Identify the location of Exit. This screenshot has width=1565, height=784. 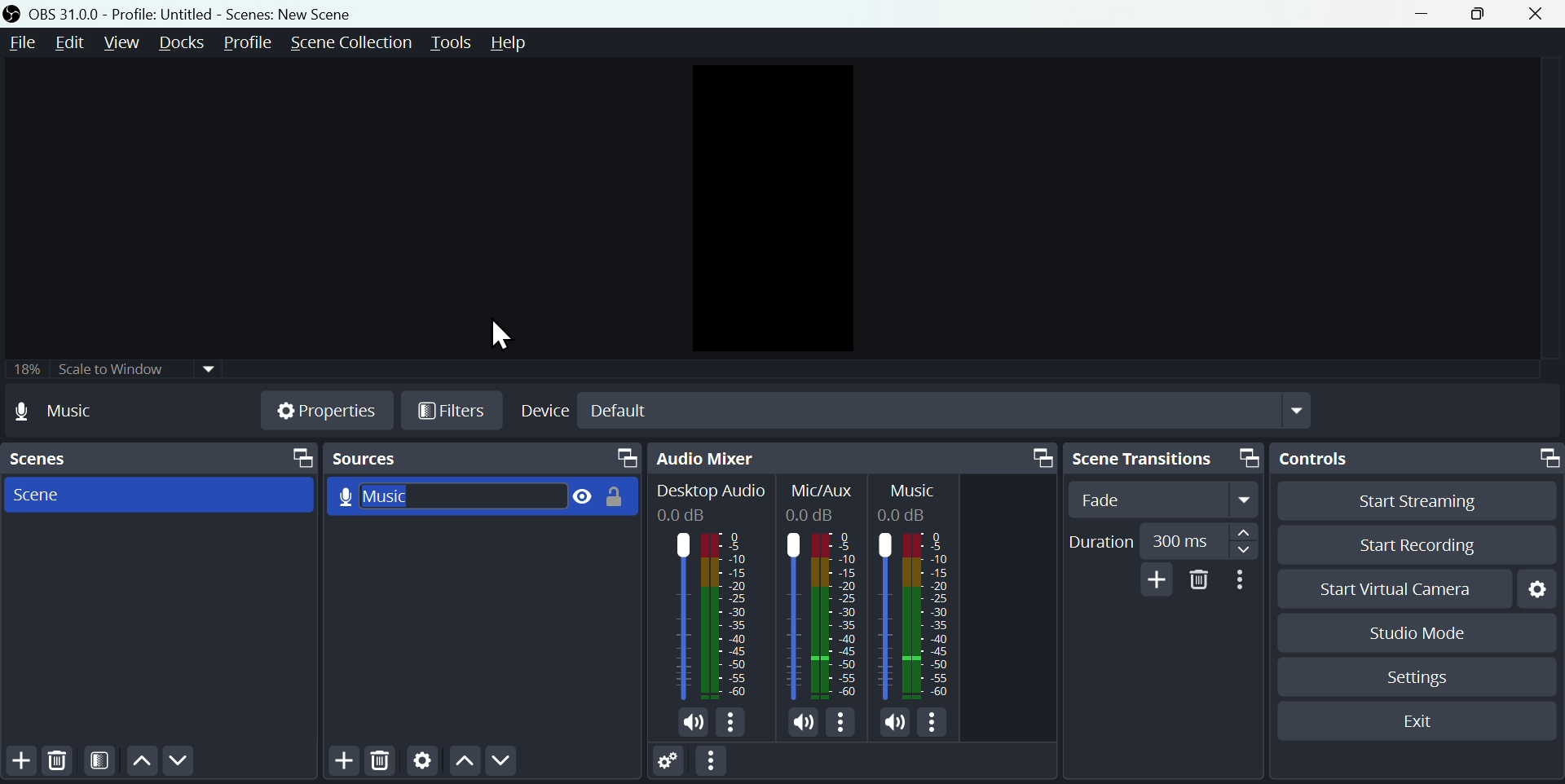
(1424, 724).